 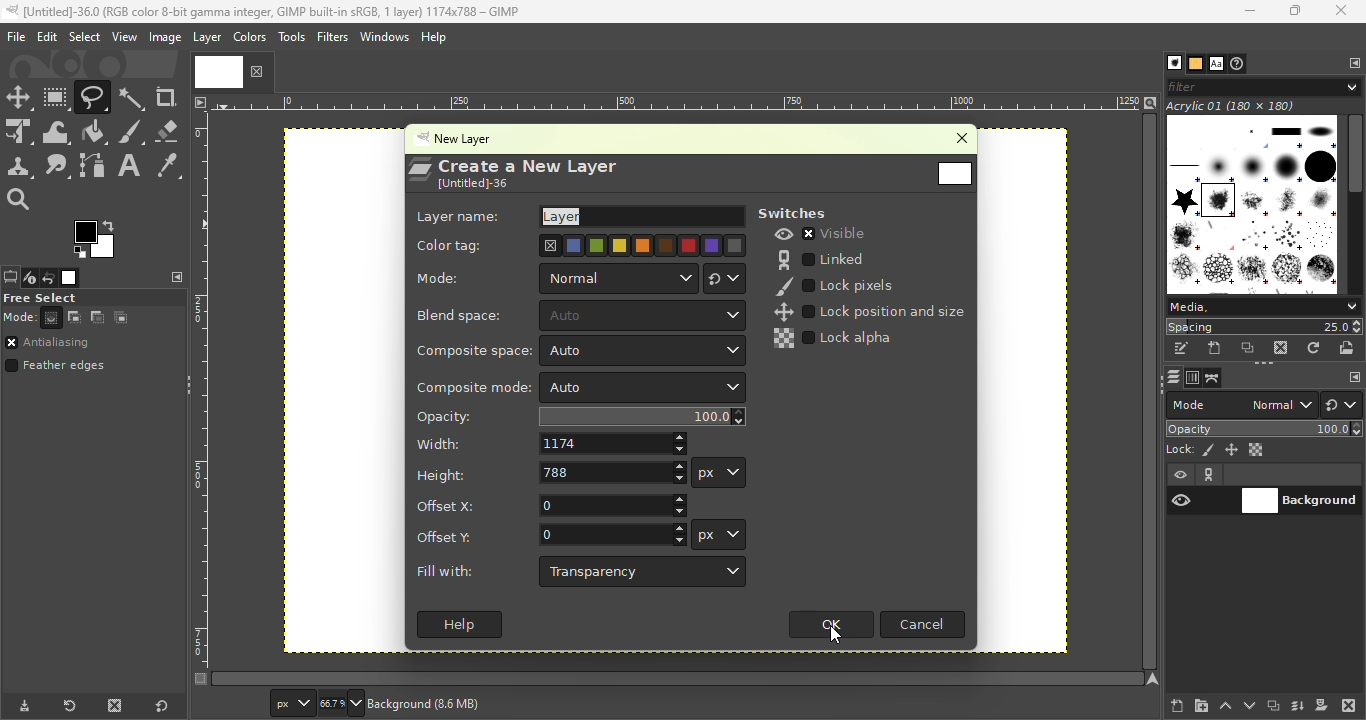 What do you see at coordinates (1231, 450) in the screenshot?
I see `Lock position and size` at bounding box center [1231, 450].